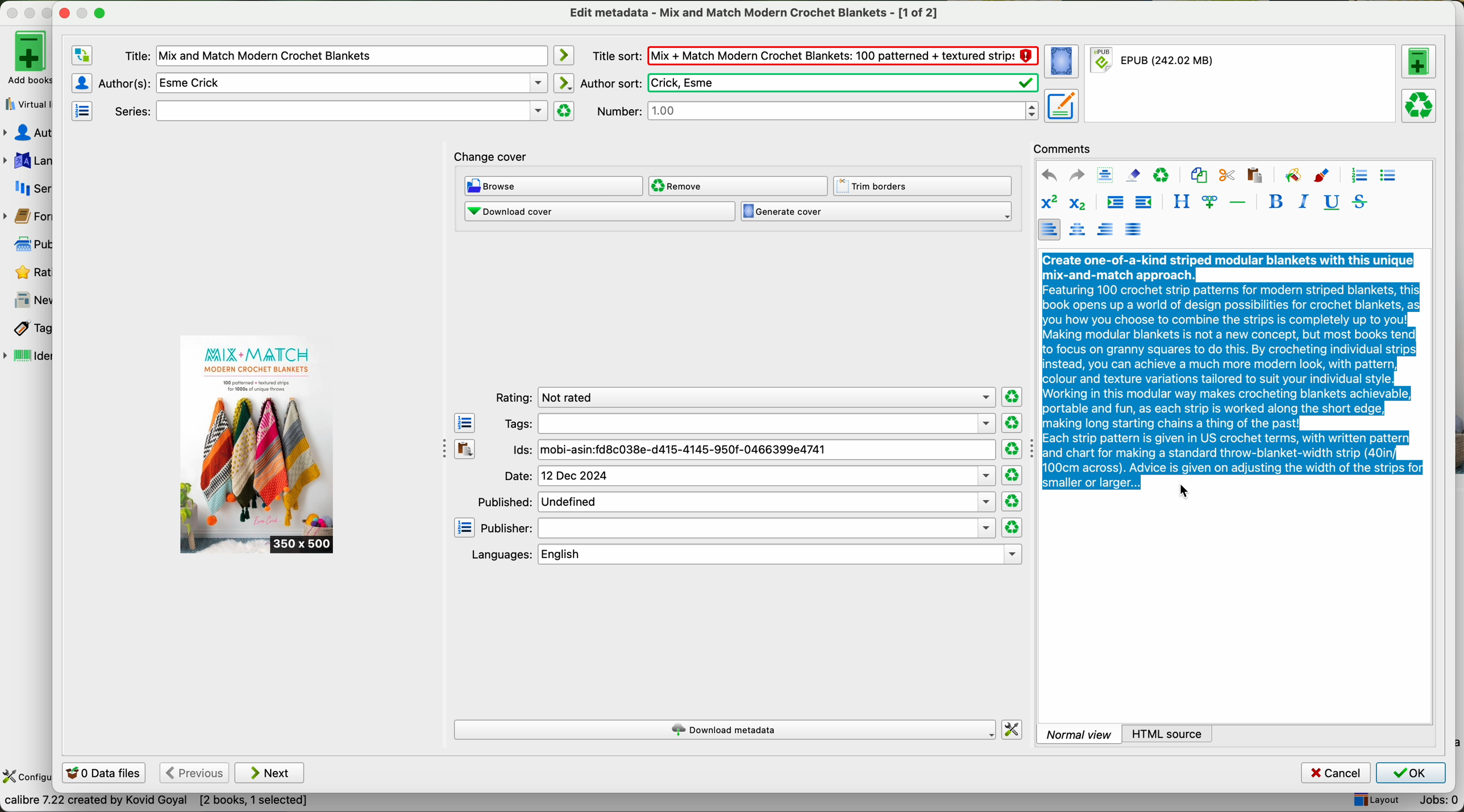 The height and width of the screenshot is (812, 1464). What do you see at coordinates (563, 82) in the screenshot?
I see `automatically create de author sort` at bounding box center [563, 82].